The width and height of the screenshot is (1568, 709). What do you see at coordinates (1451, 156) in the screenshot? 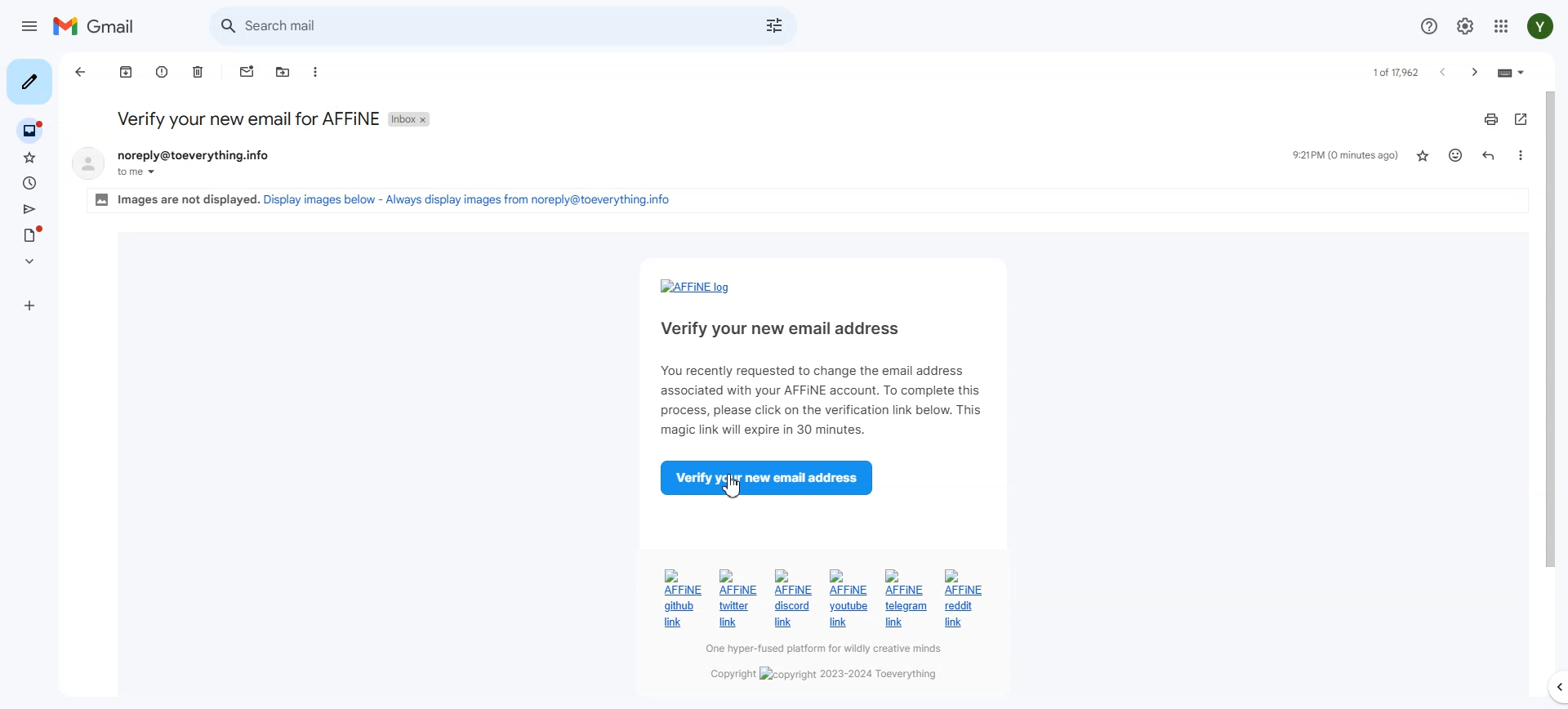
I see `Add reaction` at bounding box center [1451, 156].